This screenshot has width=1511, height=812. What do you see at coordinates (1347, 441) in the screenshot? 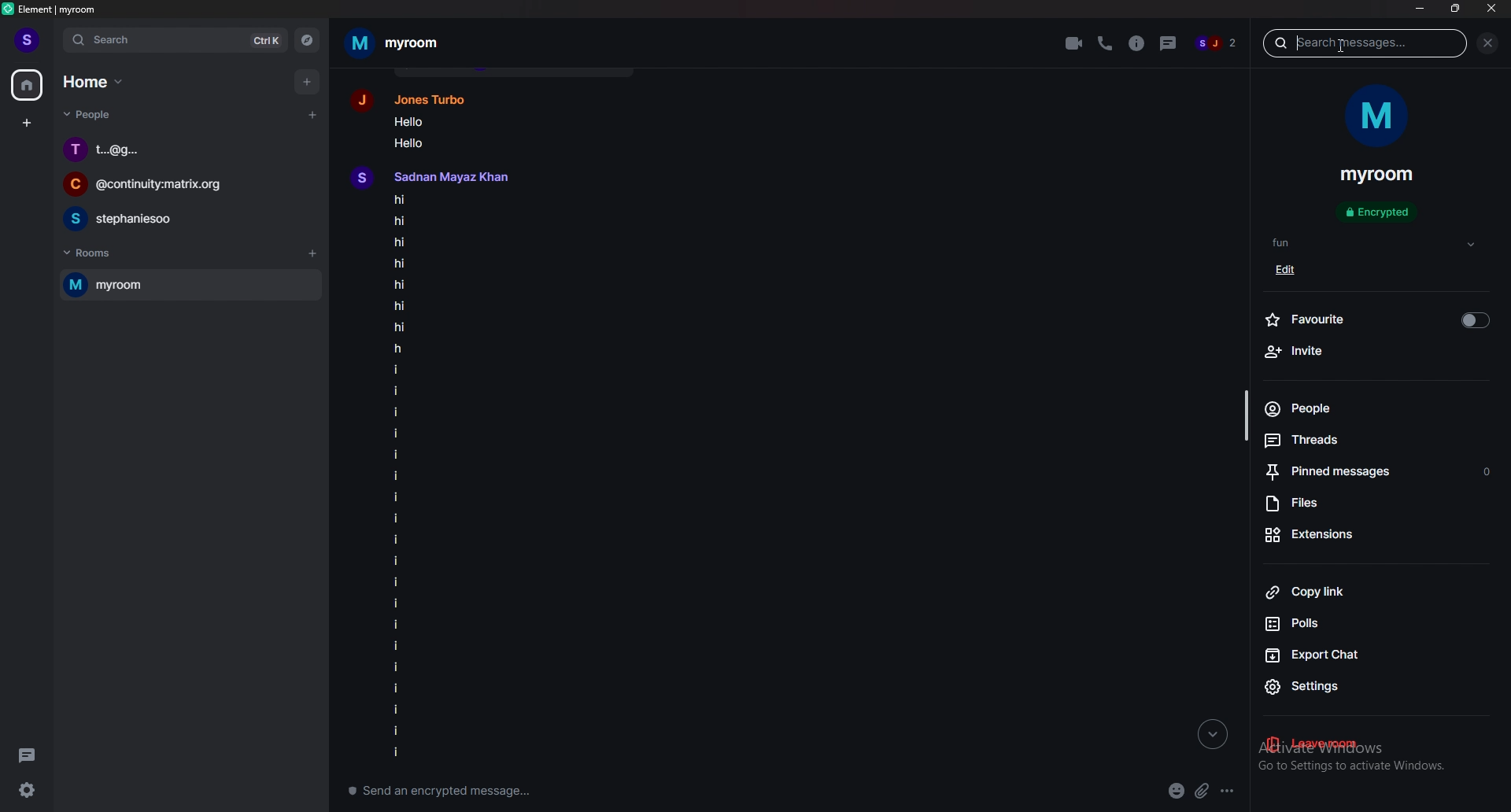
I see `threads` at bounding box center [1347, 441].